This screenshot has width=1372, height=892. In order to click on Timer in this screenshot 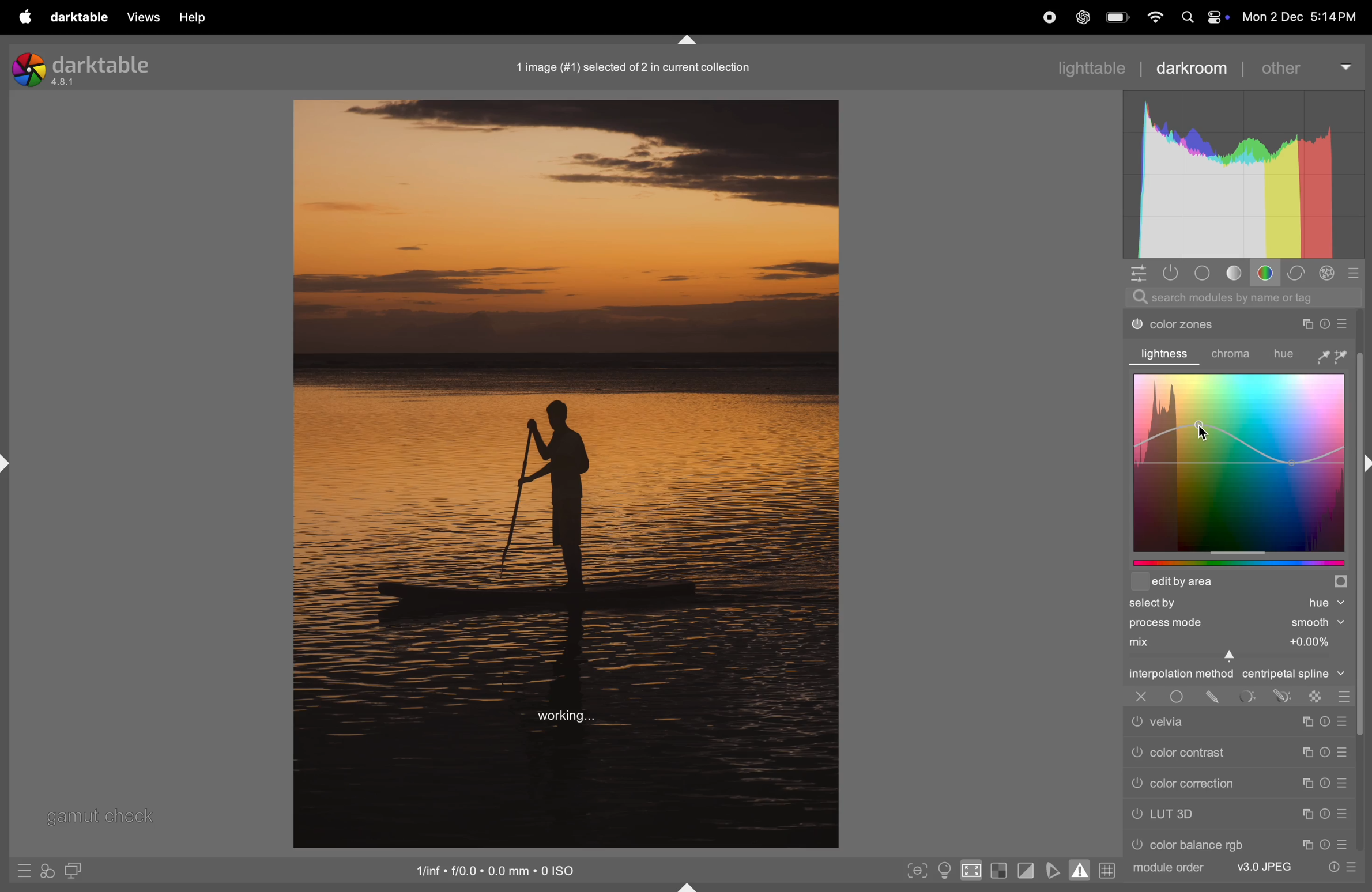, I will do `click(1325, 845)`.